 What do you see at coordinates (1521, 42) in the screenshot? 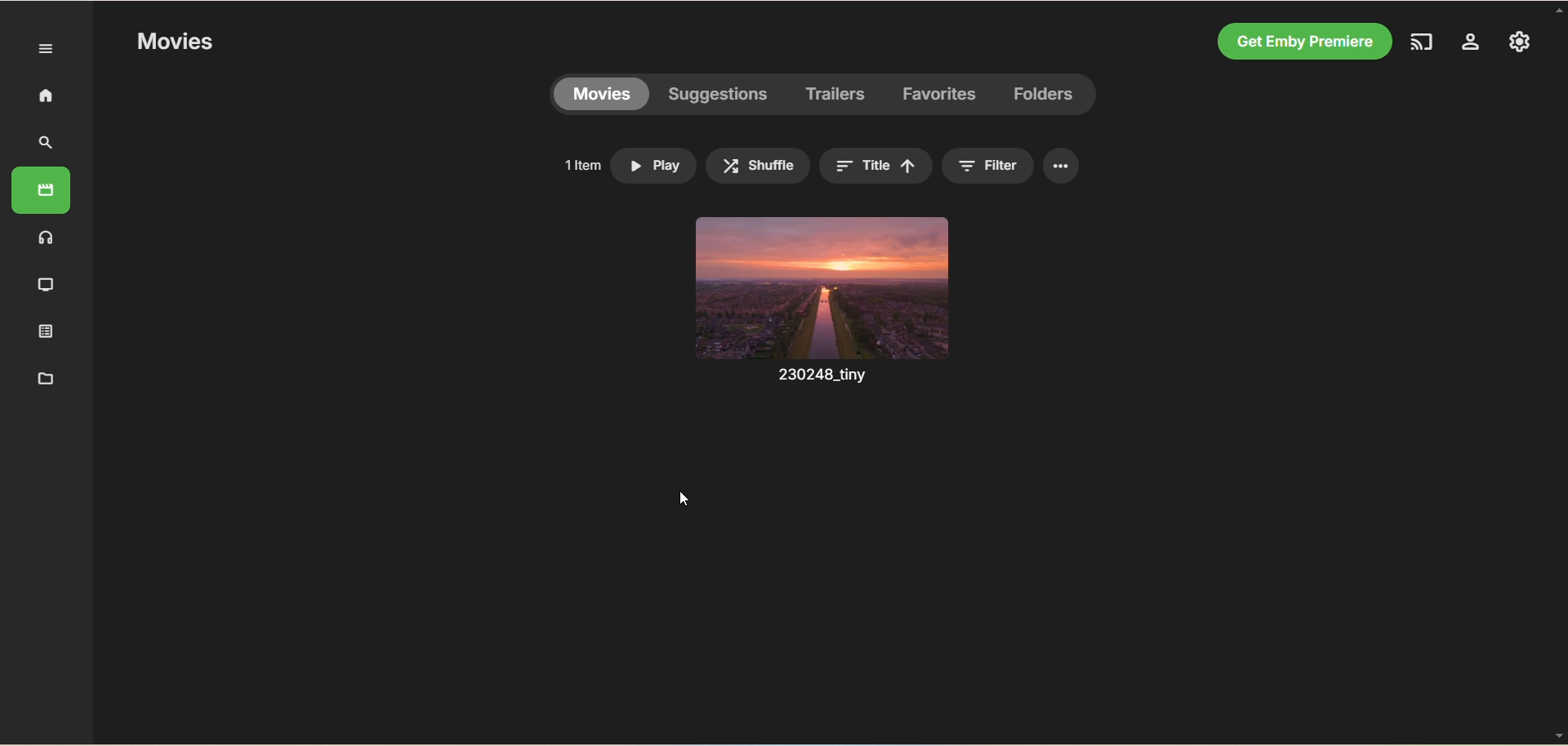
I see `settings` at bounding box center [1521, 42].